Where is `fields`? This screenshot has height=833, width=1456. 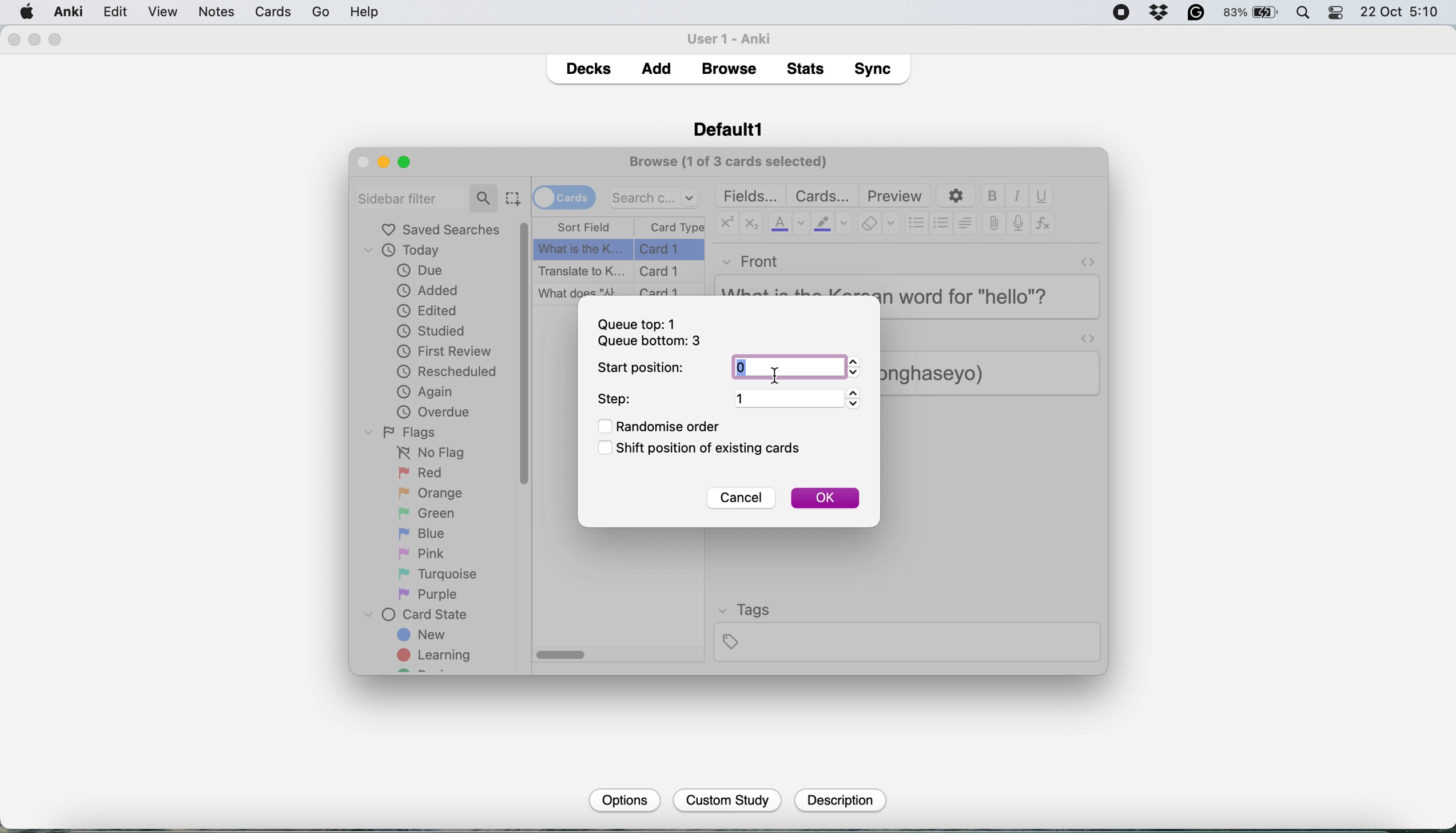 fields is located at coordinates (752, 196).